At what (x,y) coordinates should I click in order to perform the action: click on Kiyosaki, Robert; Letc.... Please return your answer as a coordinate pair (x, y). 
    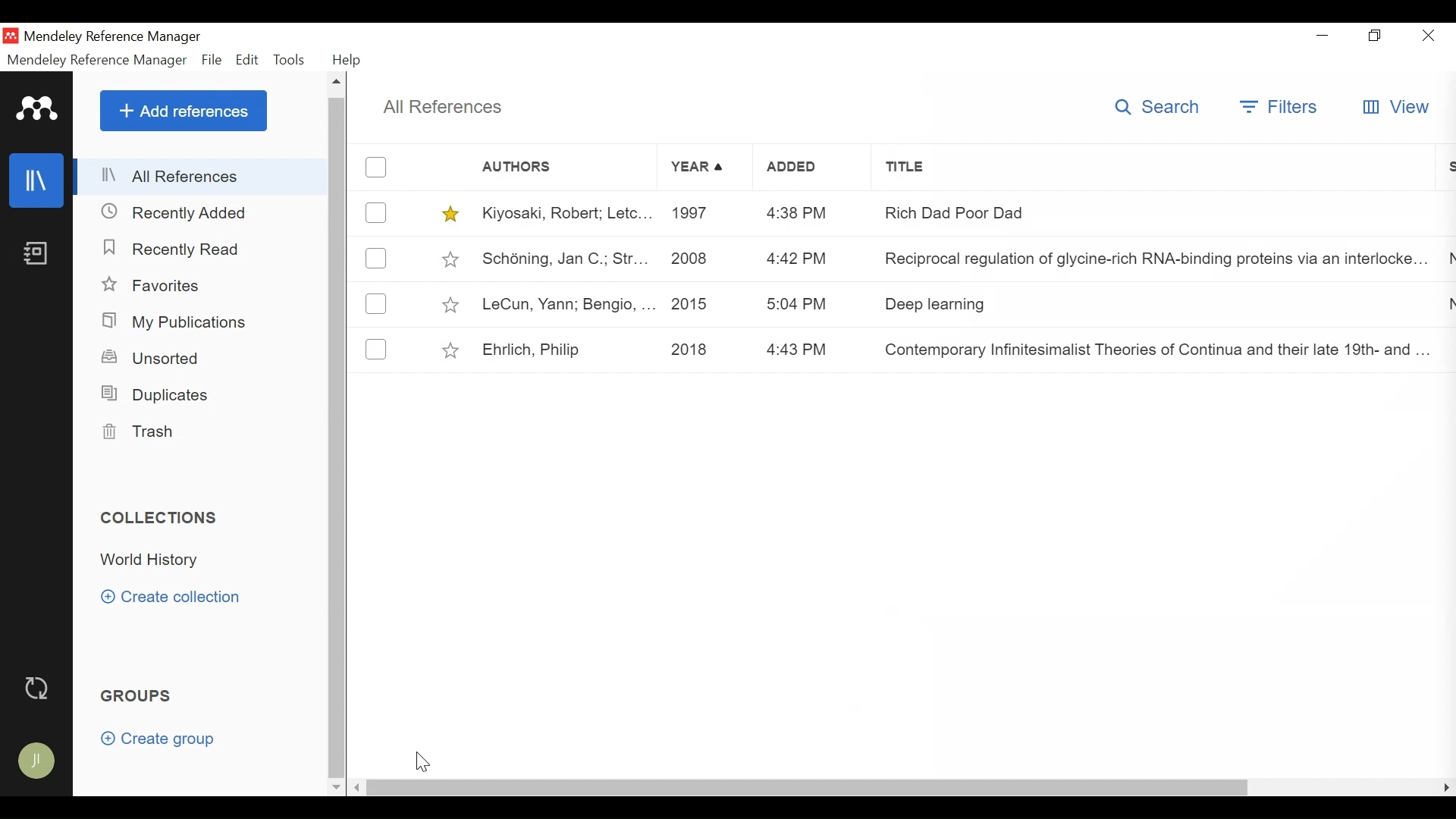
    Looking at the image, I should click on (565, 214).